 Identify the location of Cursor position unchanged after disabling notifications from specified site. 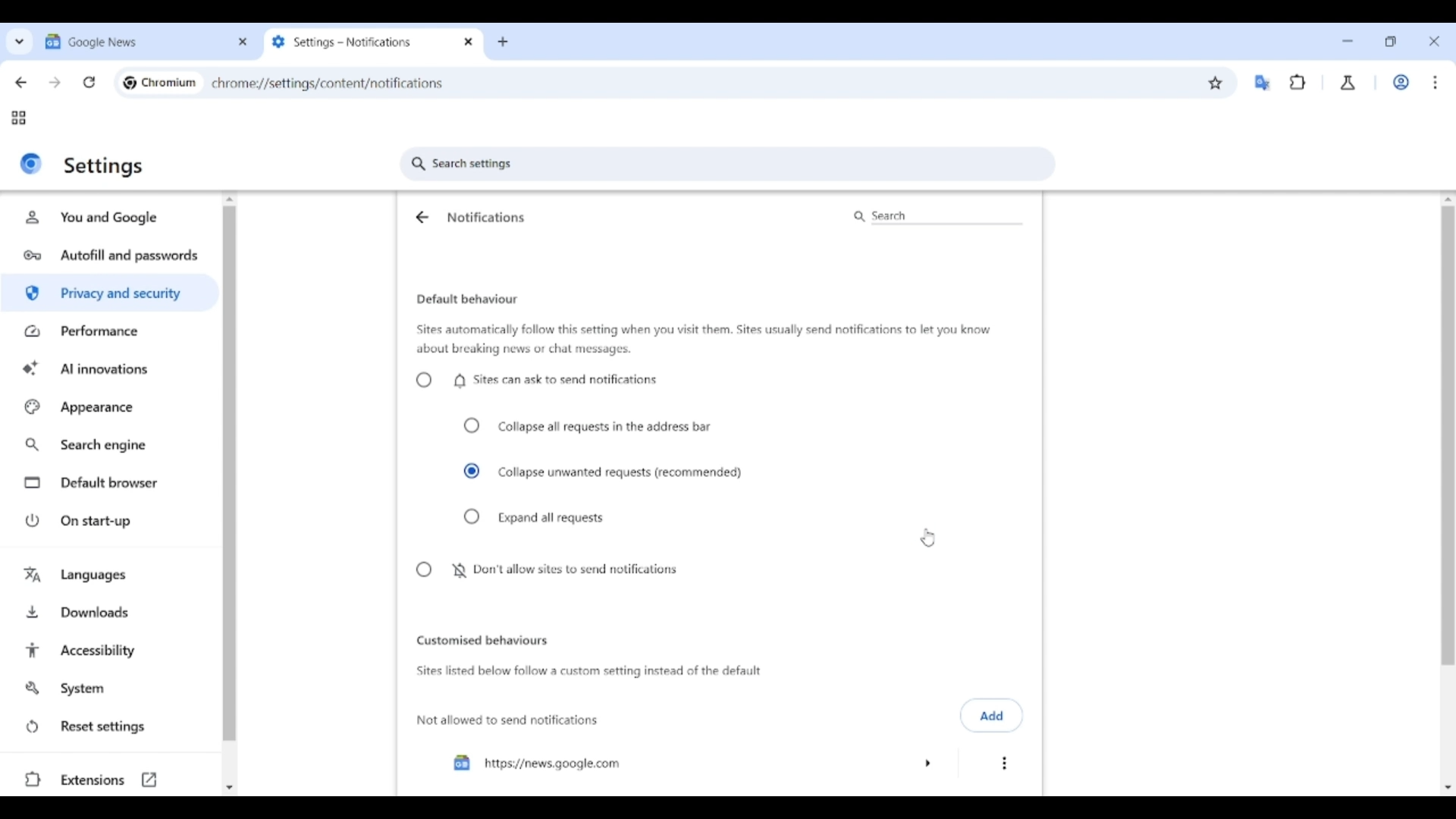
(927, 538).